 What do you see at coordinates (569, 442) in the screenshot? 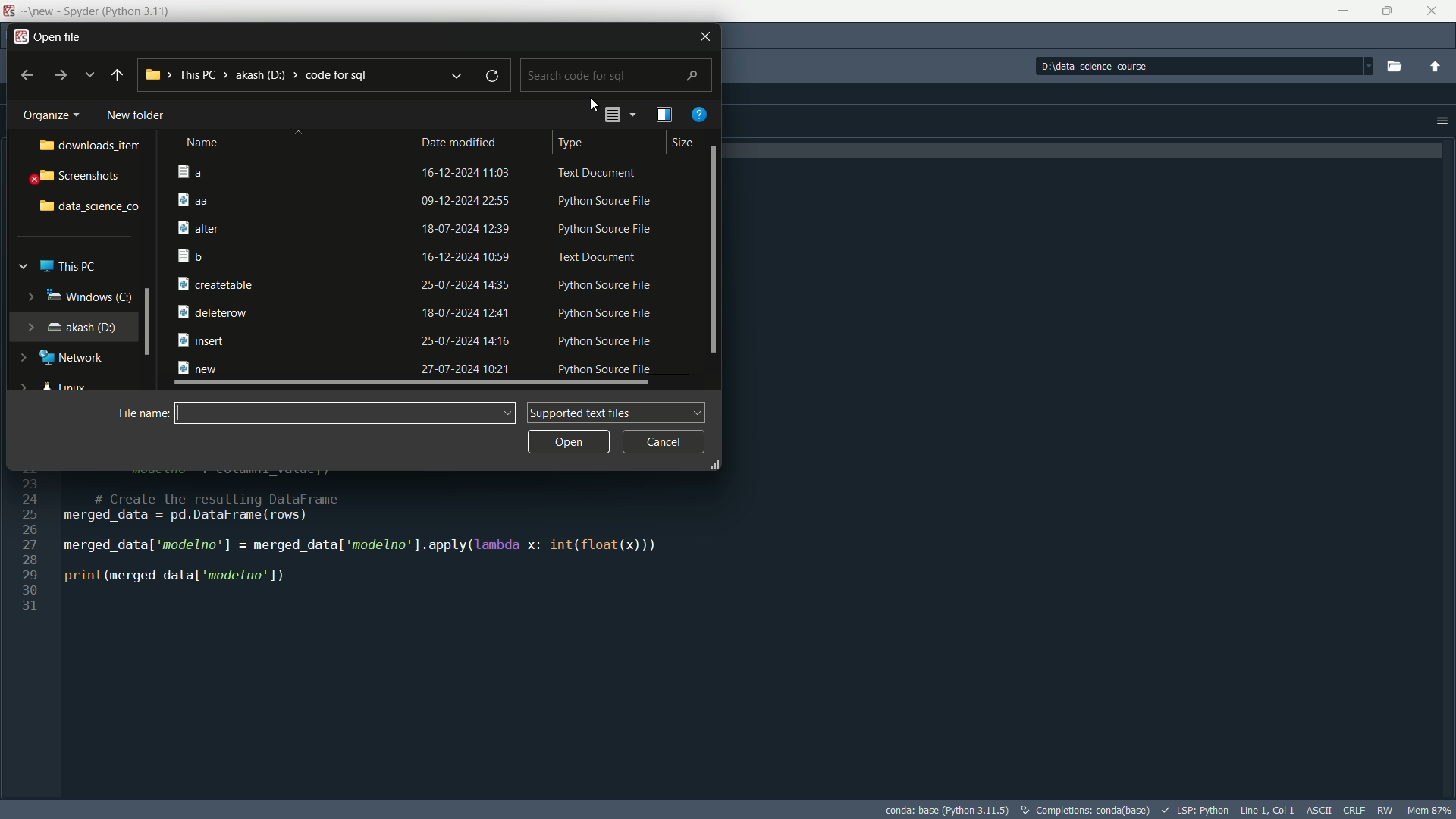
I see `open` at bounding box center [569, 442].